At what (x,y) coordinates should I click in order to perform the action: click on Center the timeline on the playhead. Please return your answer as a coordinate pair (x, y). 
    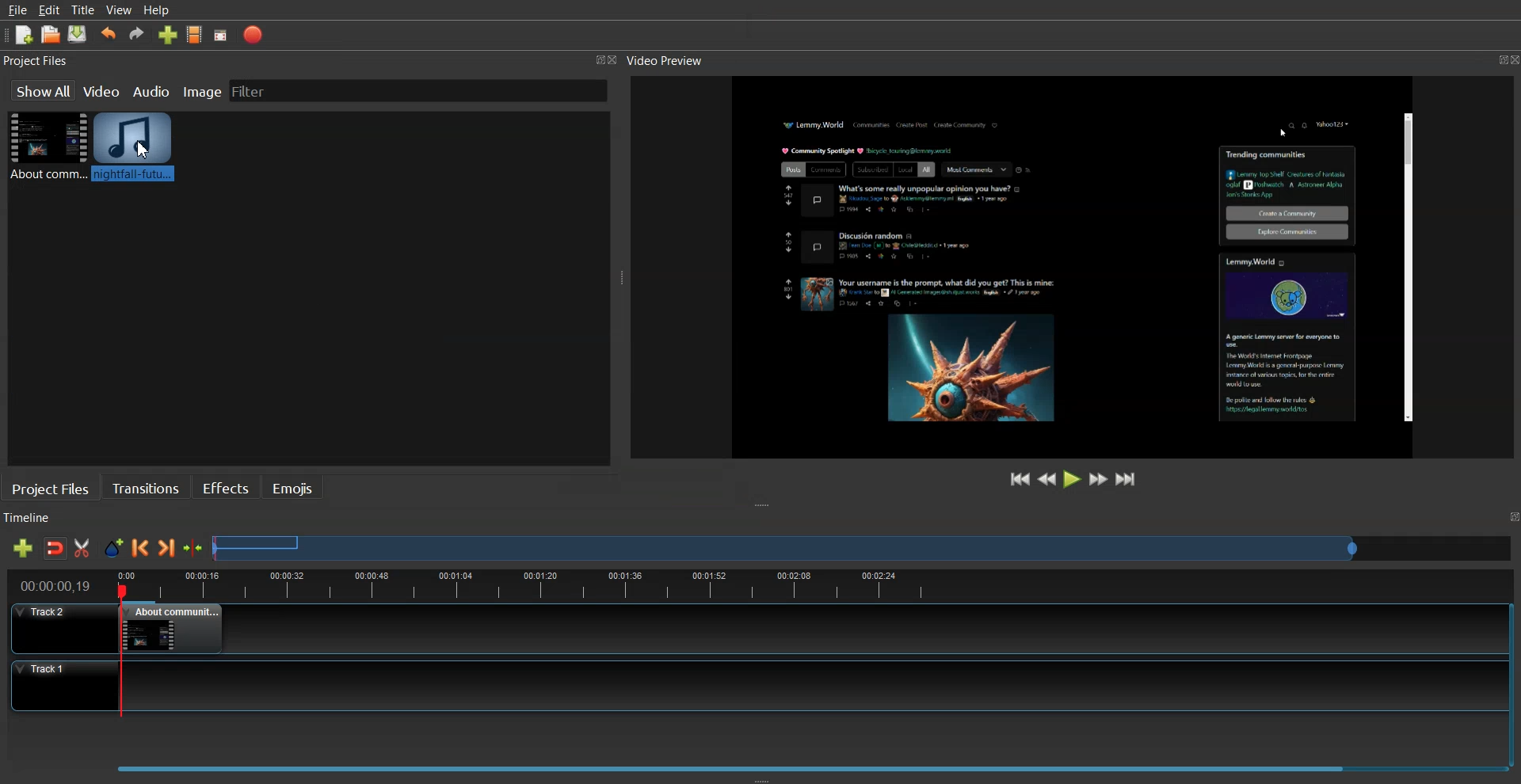
    Looking at the image, I should click on (194, 548).